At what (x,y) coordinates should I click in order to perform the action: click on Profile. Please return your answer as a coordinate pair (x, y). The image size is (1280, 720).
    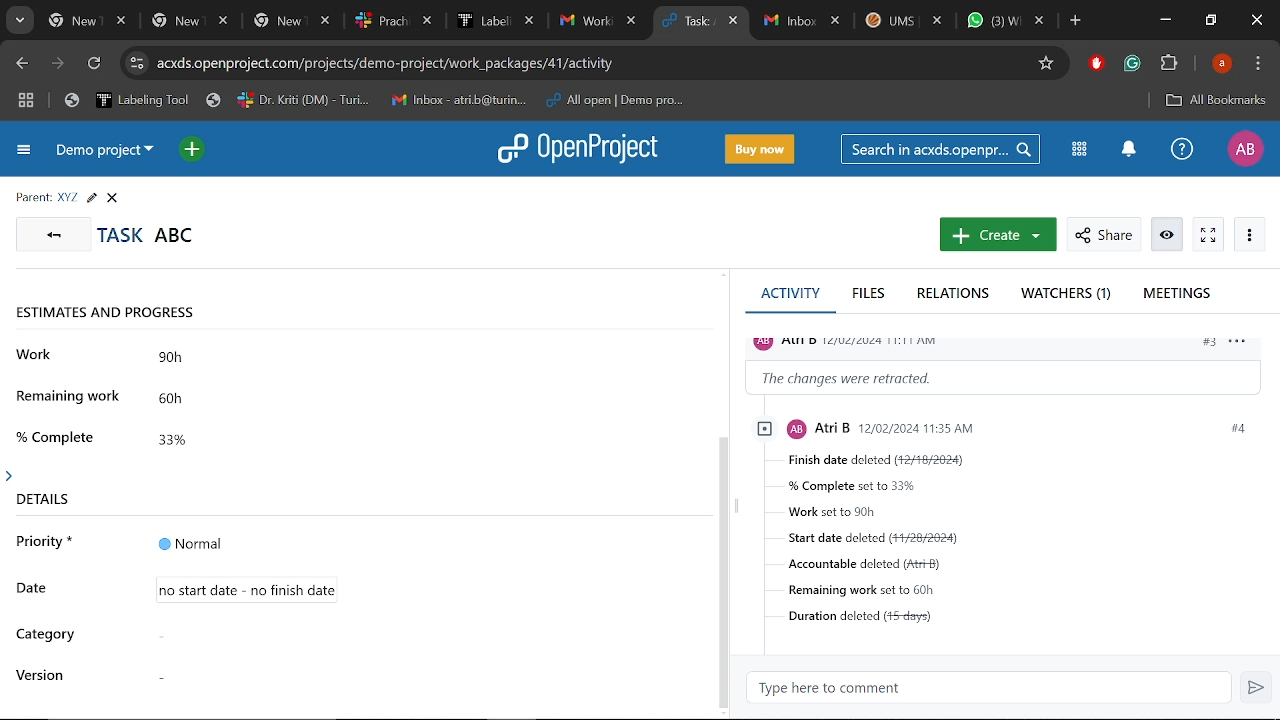
    Looking at the image, I should click on (1224, 63).